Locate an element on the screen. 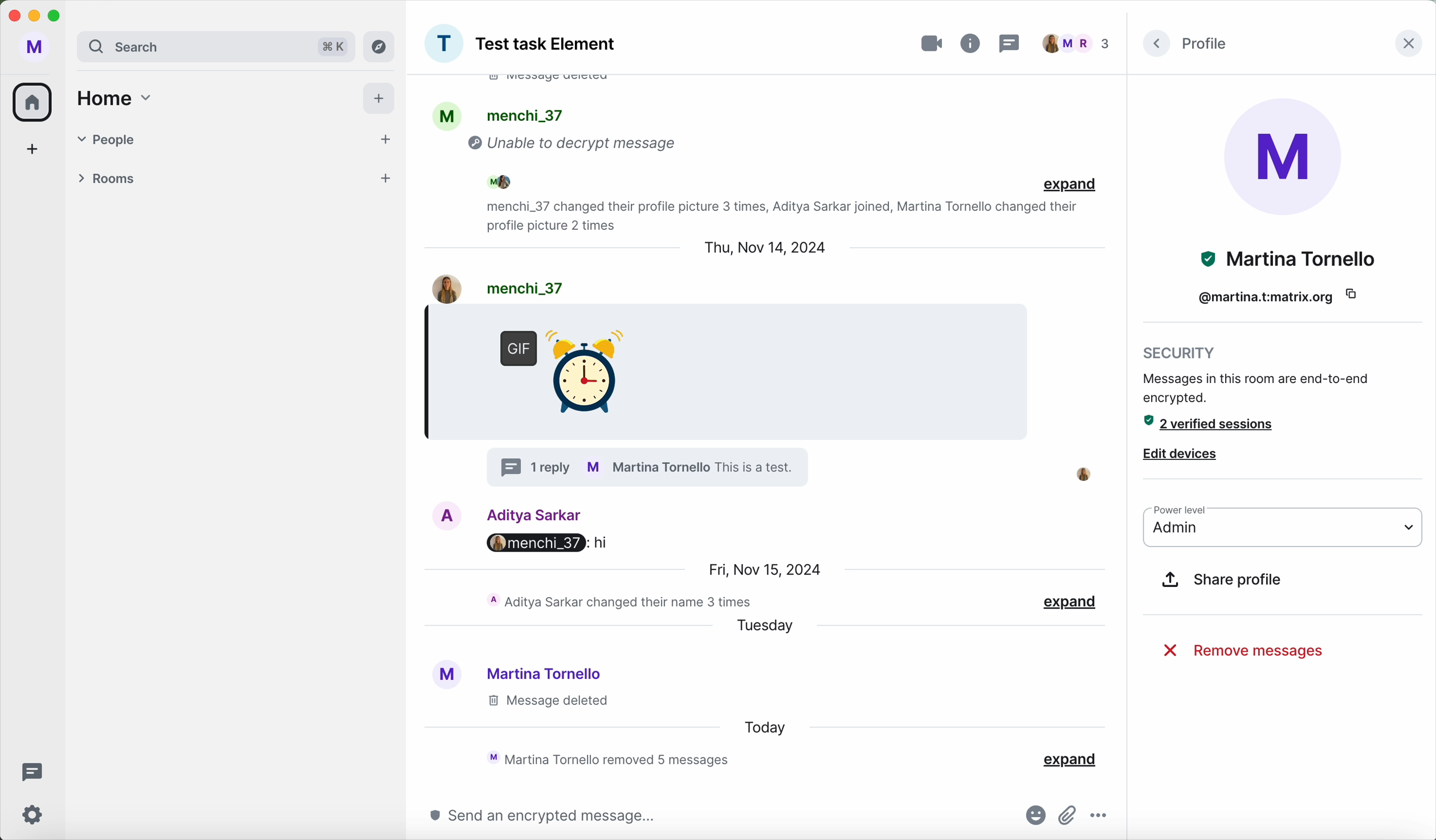 The image size is (1436, 840). user name is located at coordinates (1266, 296).